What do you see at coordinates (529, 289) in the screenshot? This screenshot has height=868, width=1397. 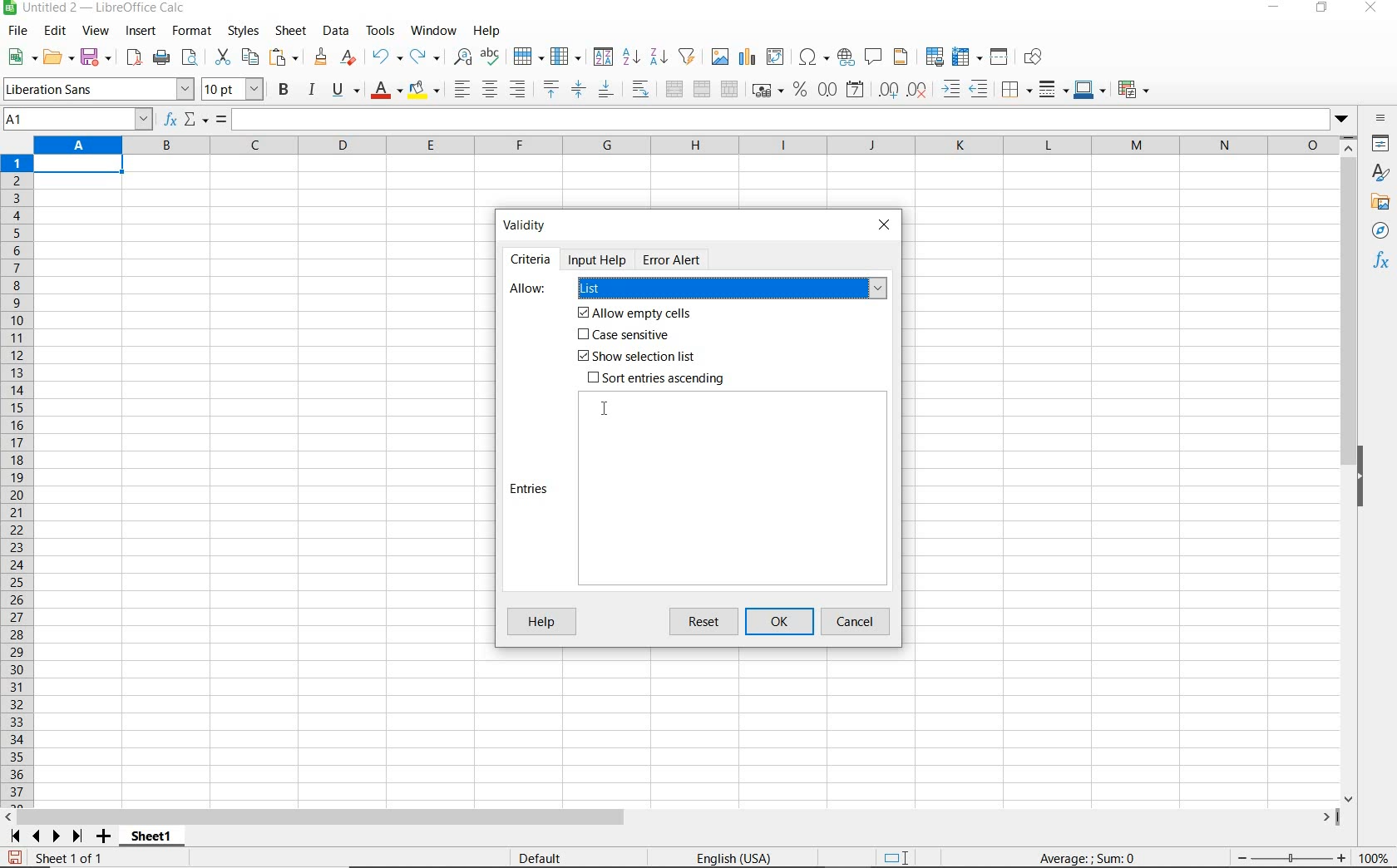 I see `Allow` at bounding box center [529, 289].